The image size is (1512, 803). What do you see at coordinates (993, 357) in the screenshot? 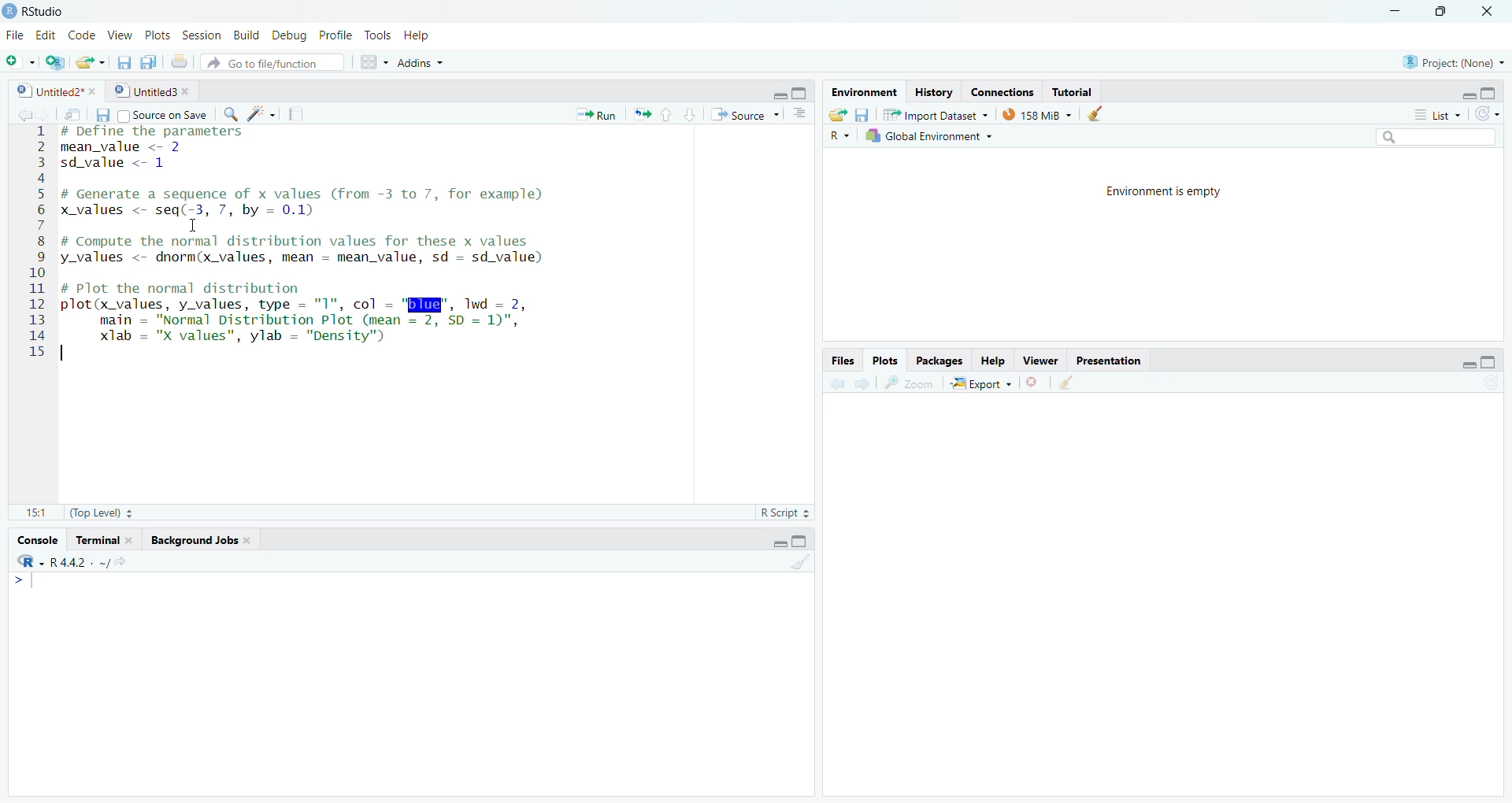
I see `Help` at bounding box center [993, 357].